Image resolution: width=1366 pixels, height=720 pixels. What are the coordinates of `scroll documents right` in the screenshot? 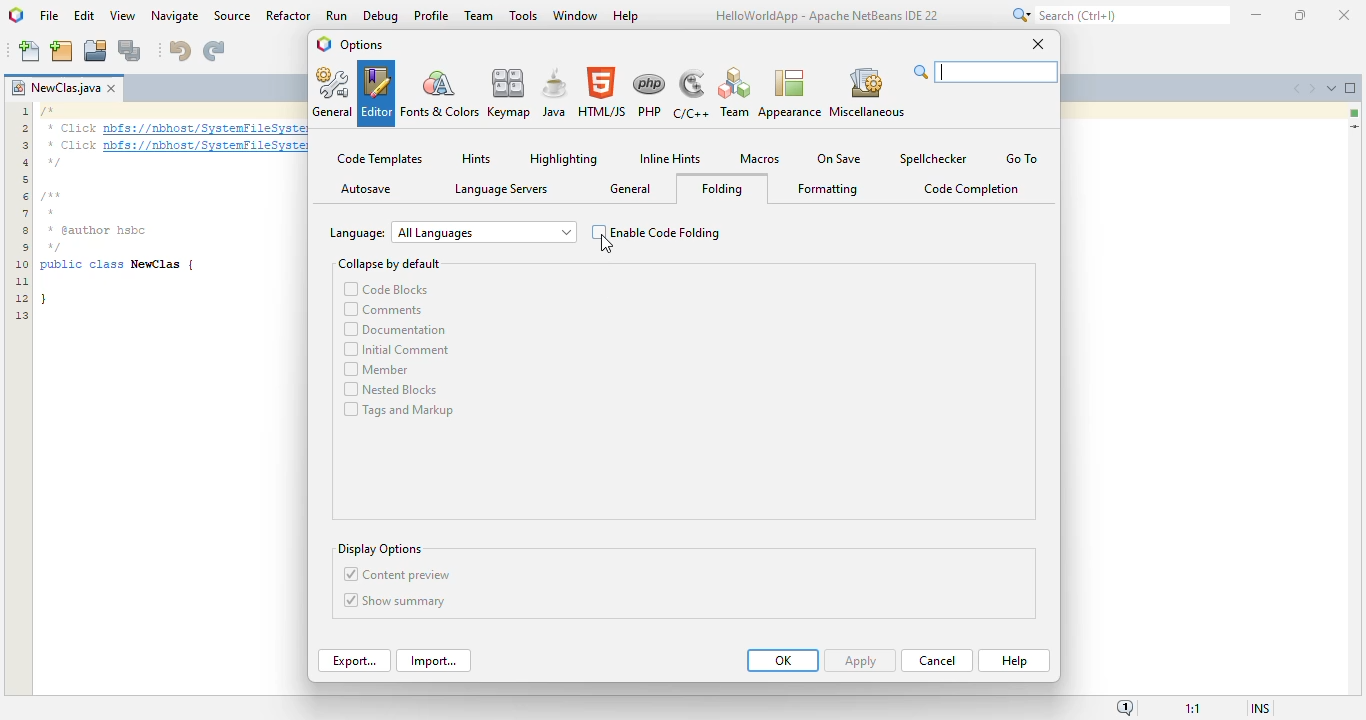 It's located at (1310, 89).